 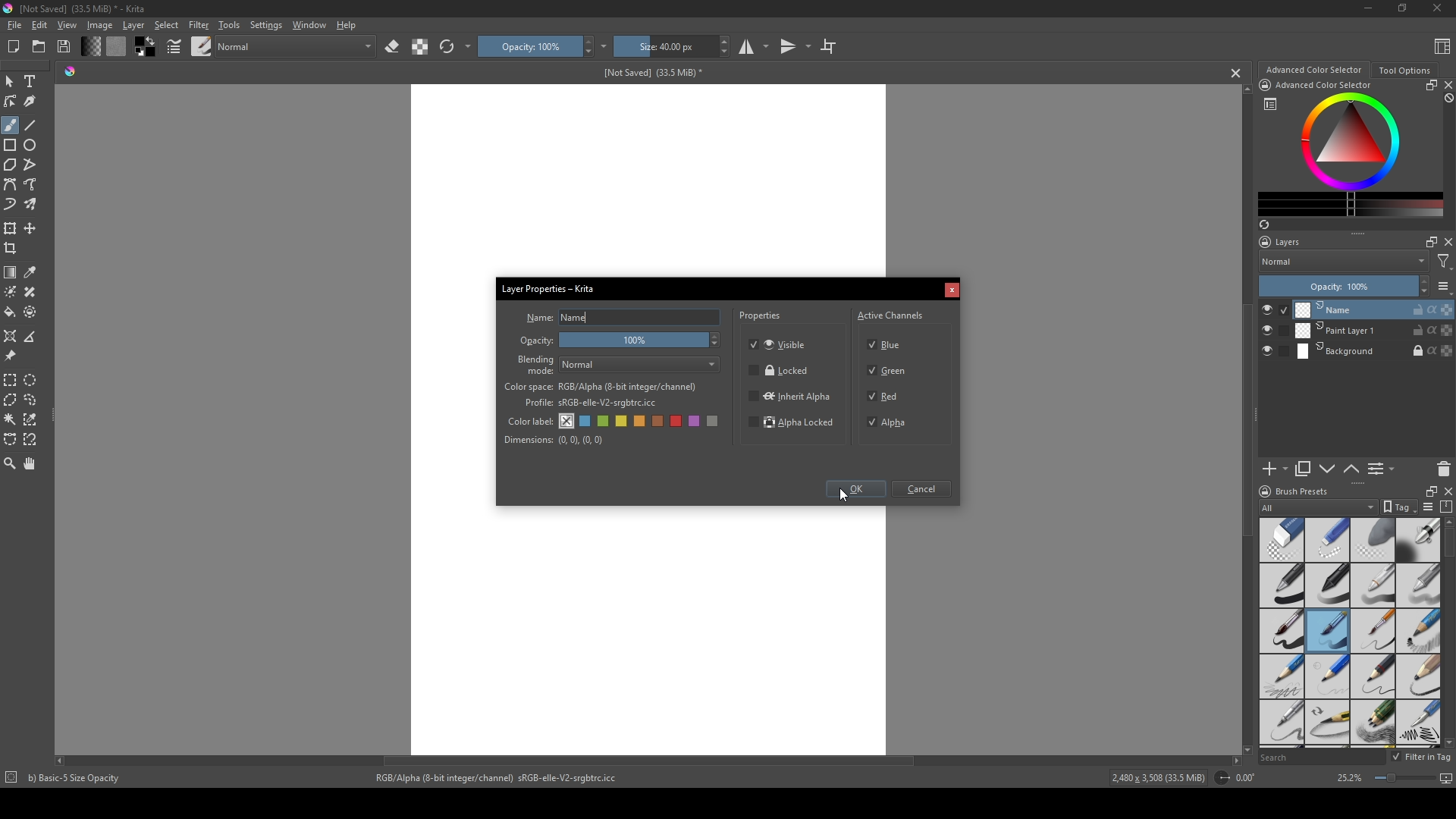 I want to click on list, so click(x=1444, y=286).